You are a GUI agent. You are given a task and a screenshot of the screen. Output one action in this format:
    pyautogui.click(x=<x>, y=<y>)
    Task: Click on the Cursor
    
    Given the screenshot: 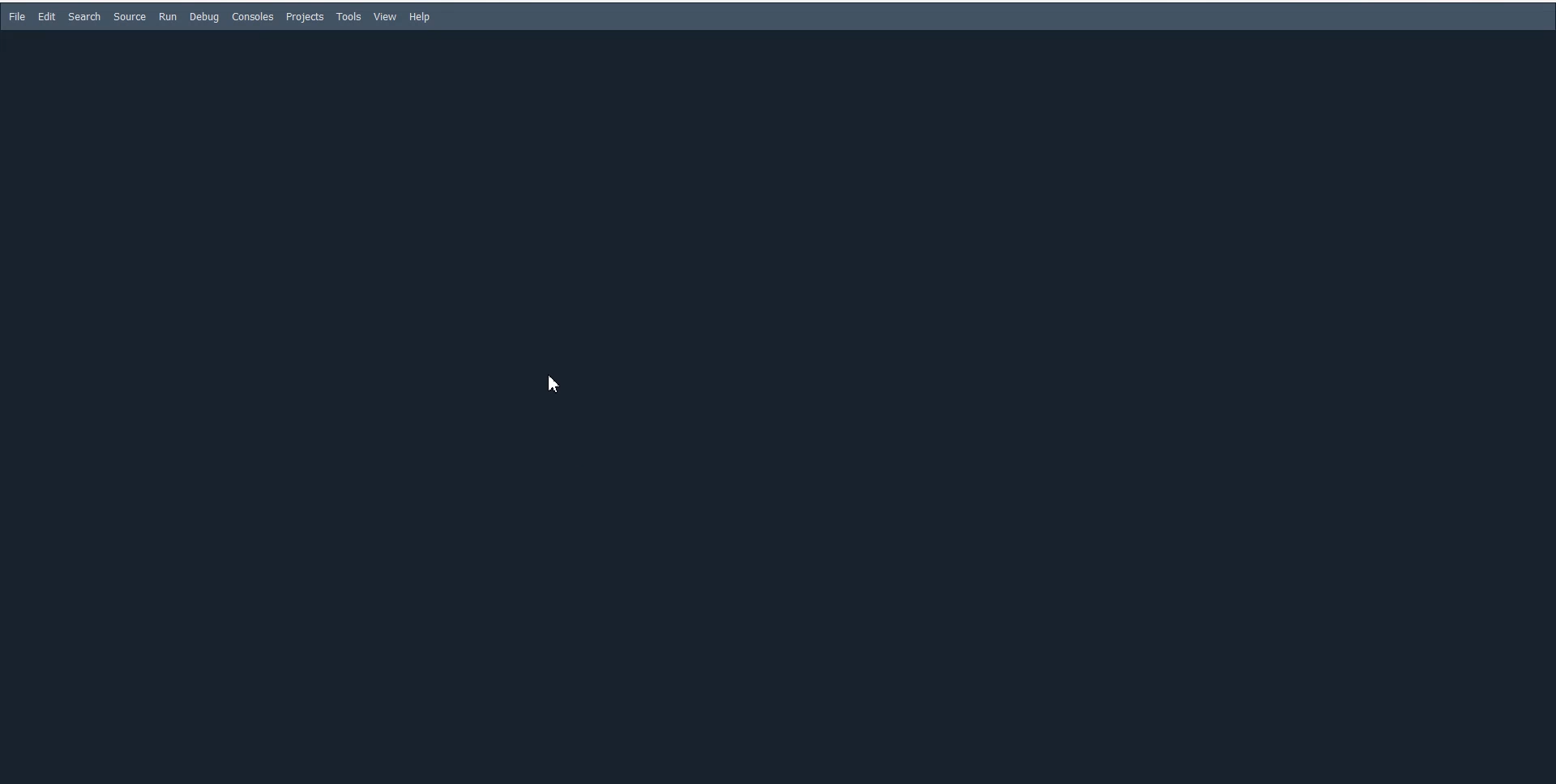 What is the action you would take?
    pyautogui.click(x=549, y=384)
    